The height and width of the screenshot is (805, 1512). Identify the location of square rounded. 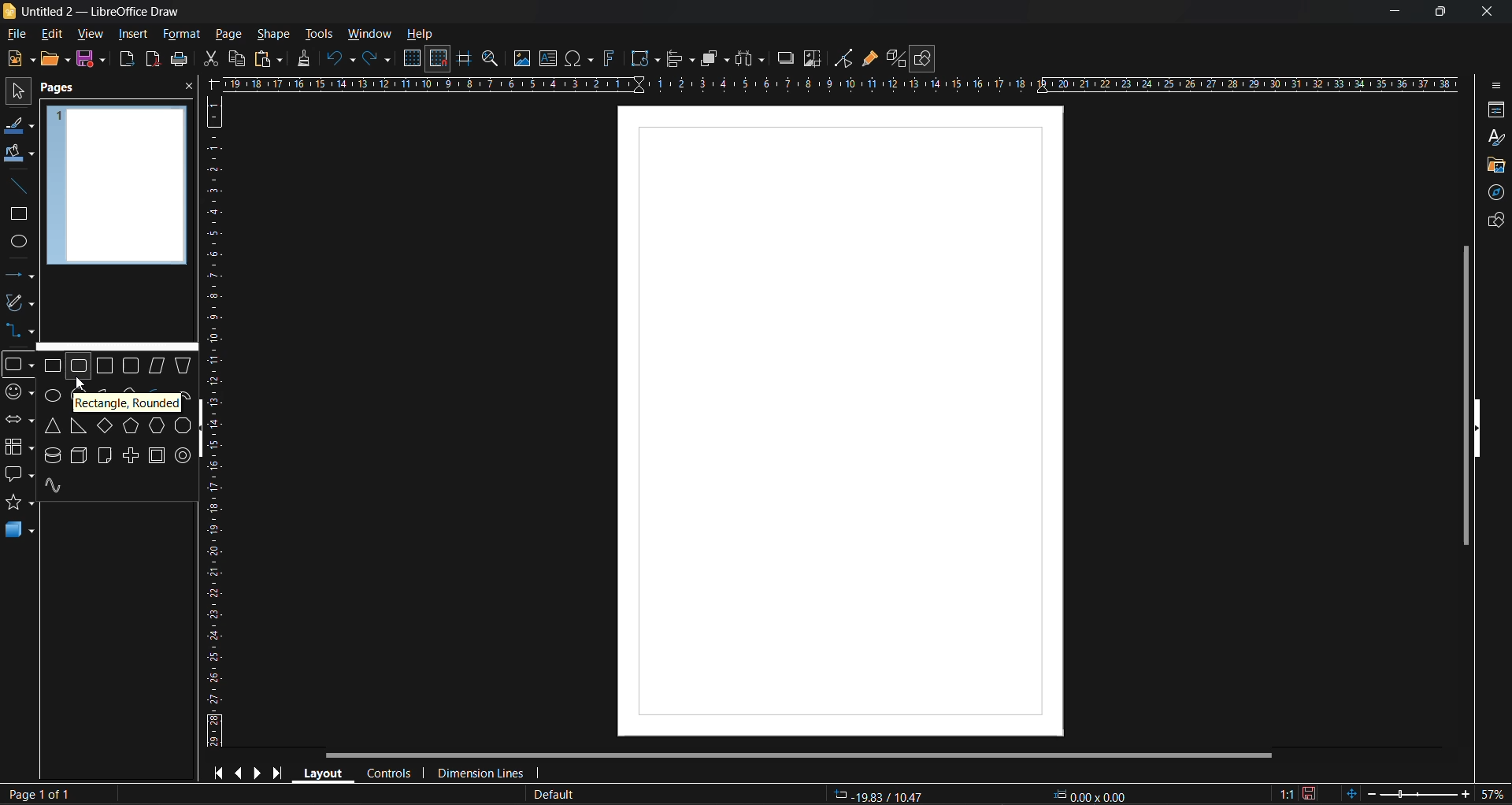
(134, 365).